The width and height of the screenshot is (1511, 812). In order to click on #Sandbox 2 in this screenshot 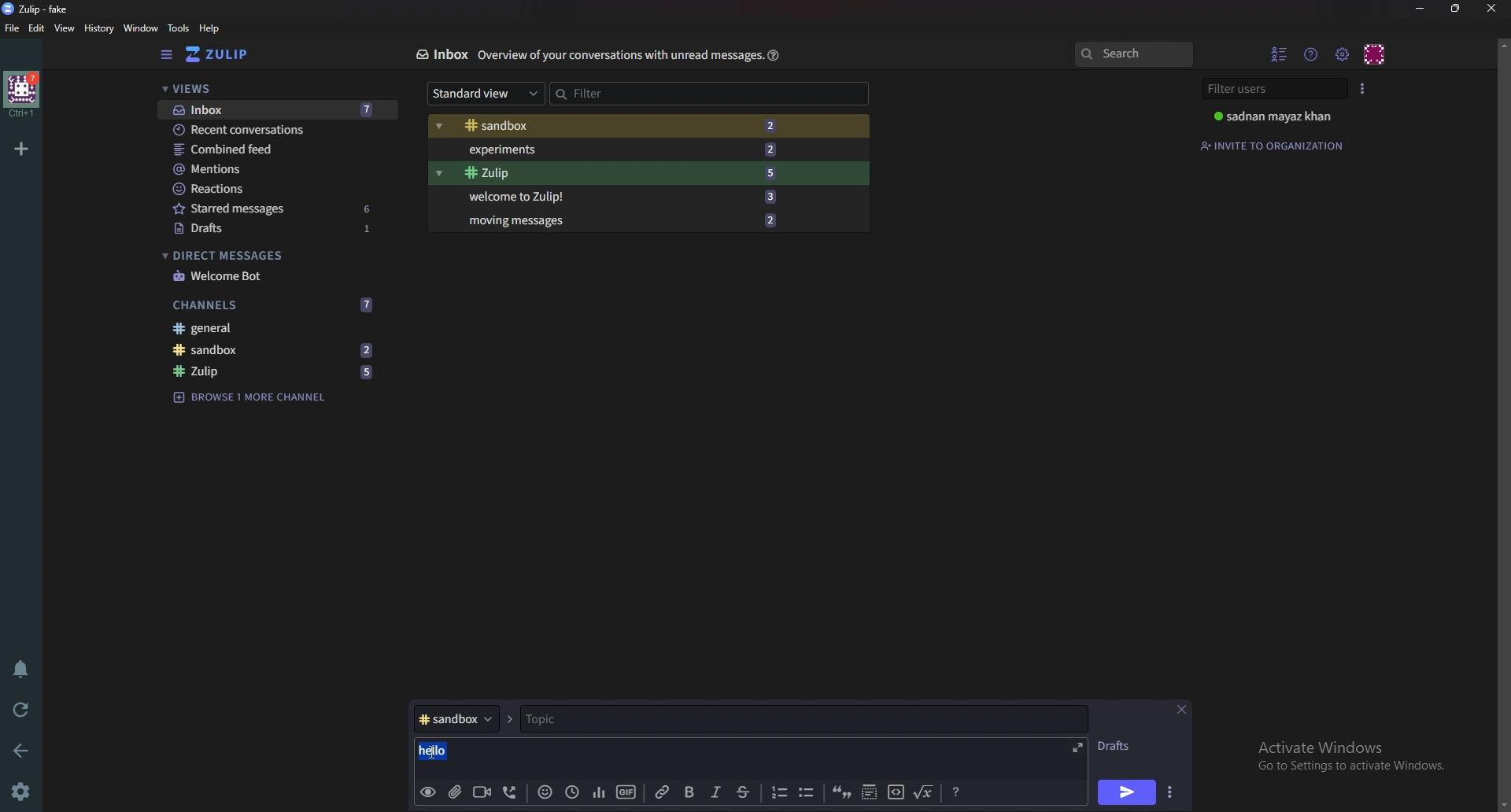, I will do `click(615, 125)`.